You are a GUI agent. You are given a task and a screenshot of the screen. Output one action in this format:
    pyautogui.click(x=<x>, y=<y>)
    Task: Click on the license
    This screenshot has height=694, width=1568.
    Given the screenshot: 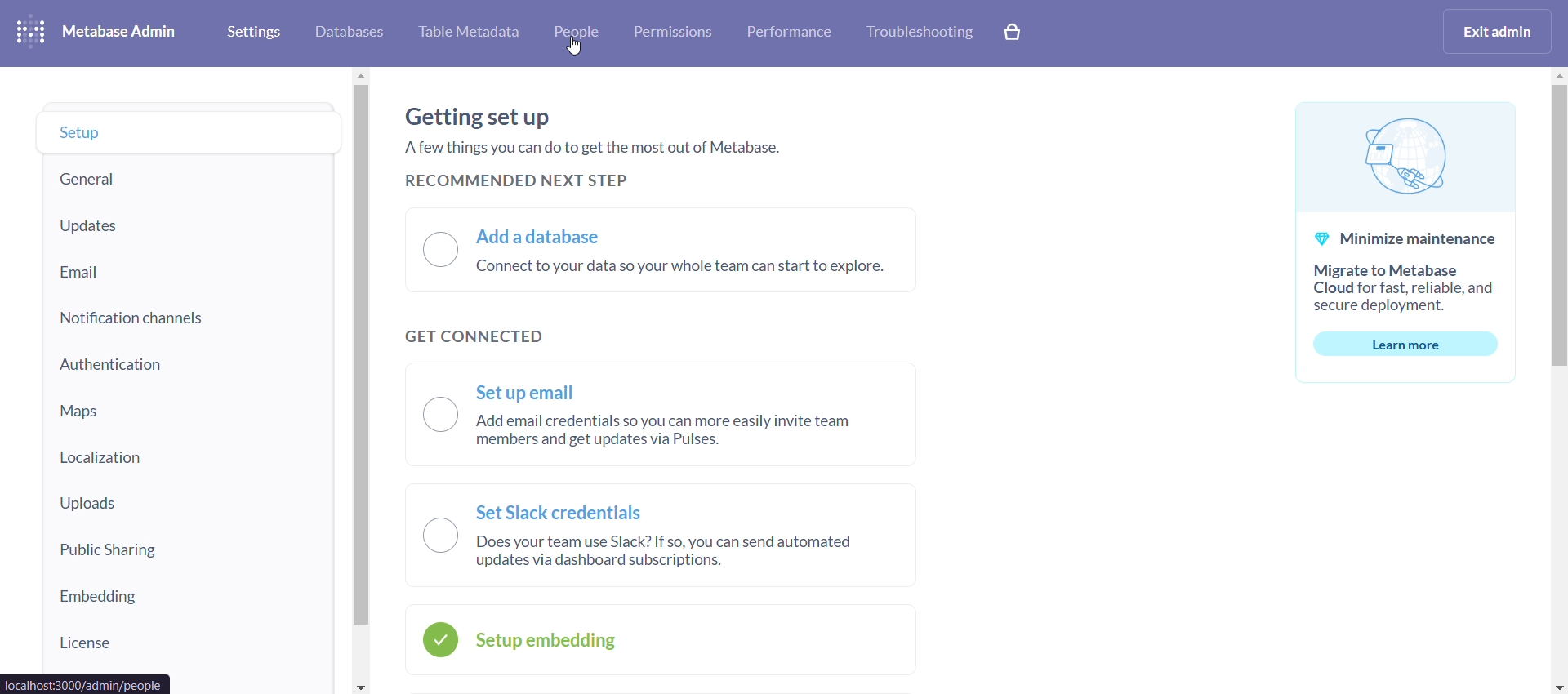 What is the action you would take?
    pyautogui.click(x=189, y=648)
    